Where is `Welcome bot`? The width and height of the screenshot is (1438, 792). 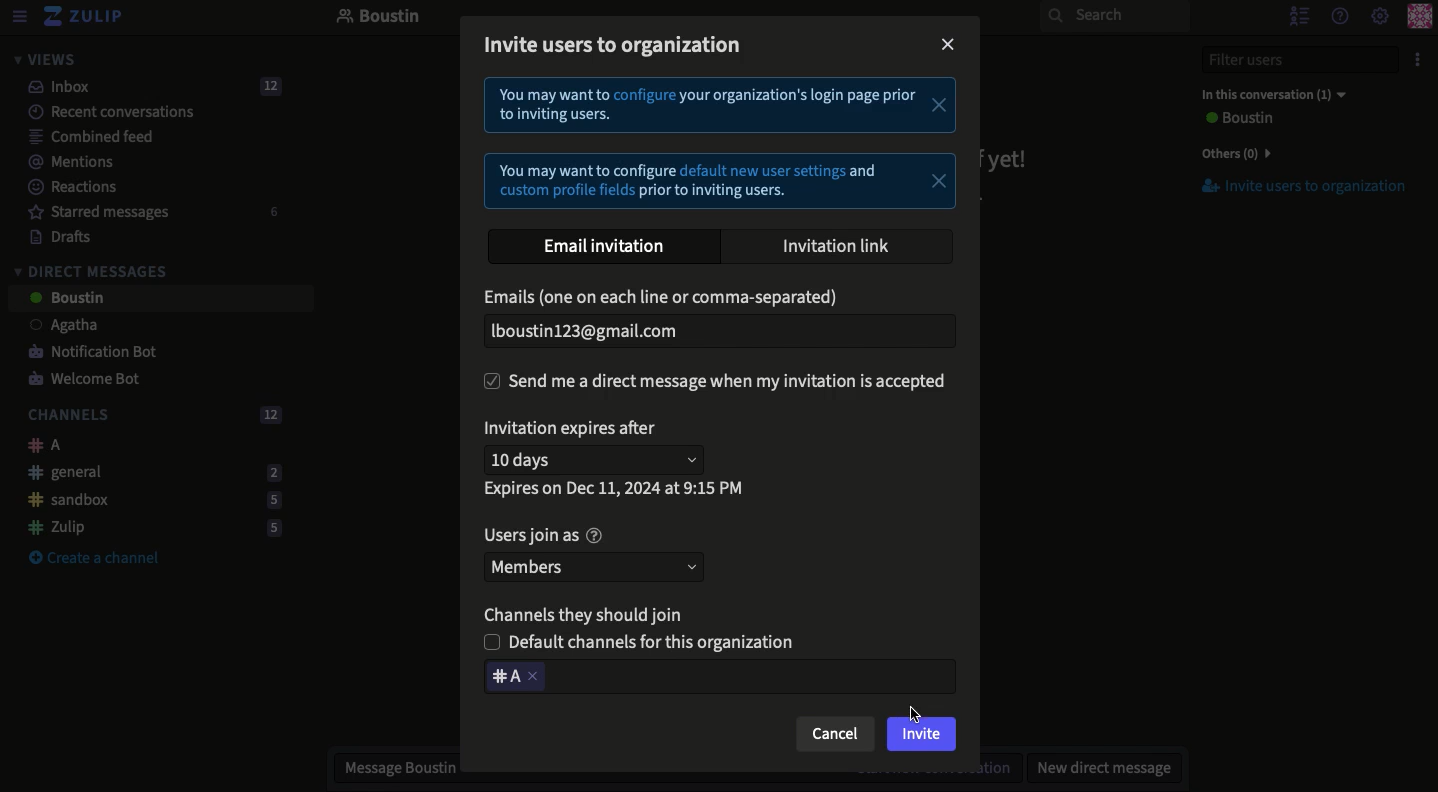 Welcome bot is located at coordinates (87, 380).